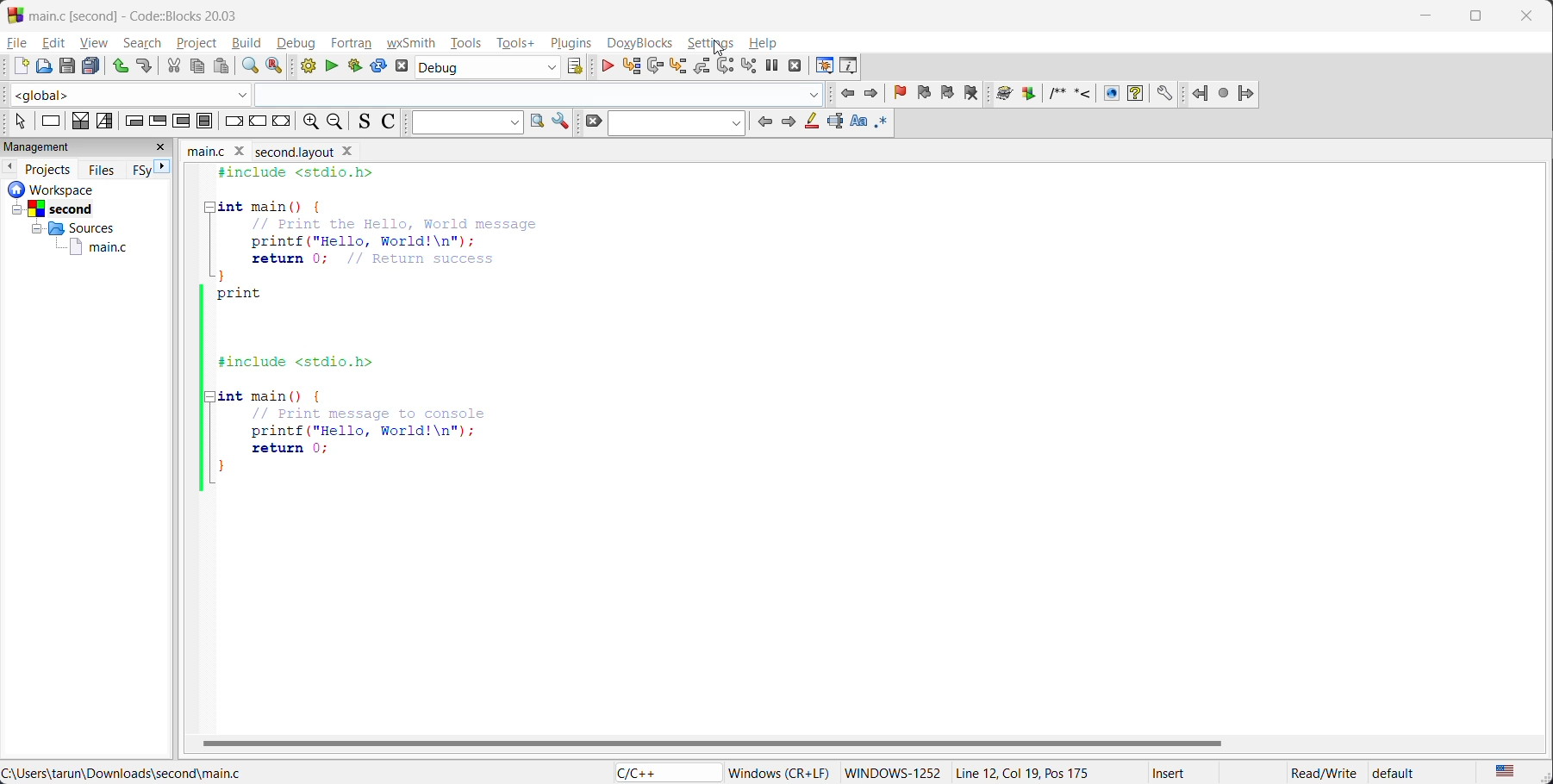 The image size is (1553, 784). I want to click on entry condition loop, so click(132, 121).